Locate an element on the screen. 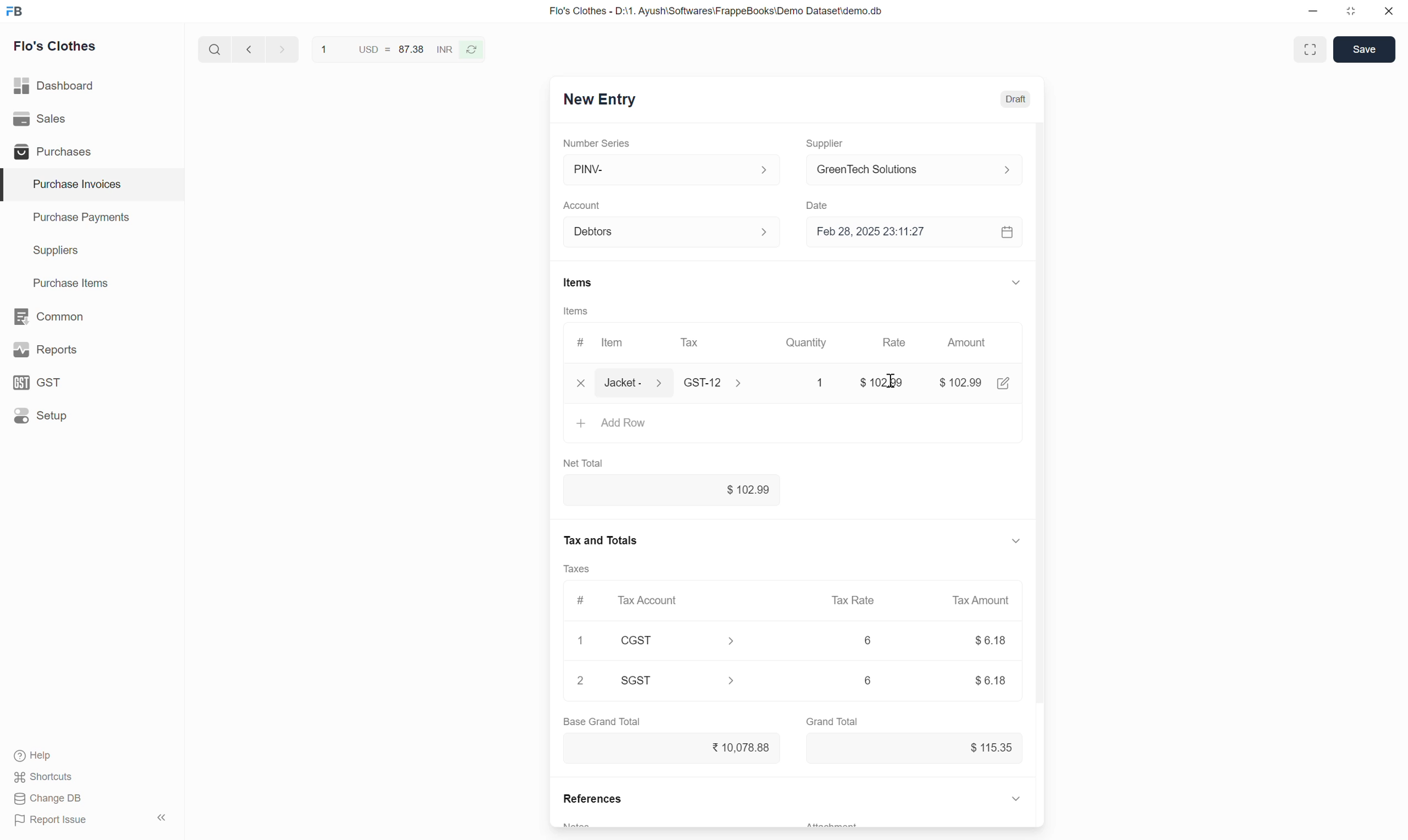 Image resolution: width=1408 pixels, height=840 pixels. Grand Total is located at coordinates (832, 722).